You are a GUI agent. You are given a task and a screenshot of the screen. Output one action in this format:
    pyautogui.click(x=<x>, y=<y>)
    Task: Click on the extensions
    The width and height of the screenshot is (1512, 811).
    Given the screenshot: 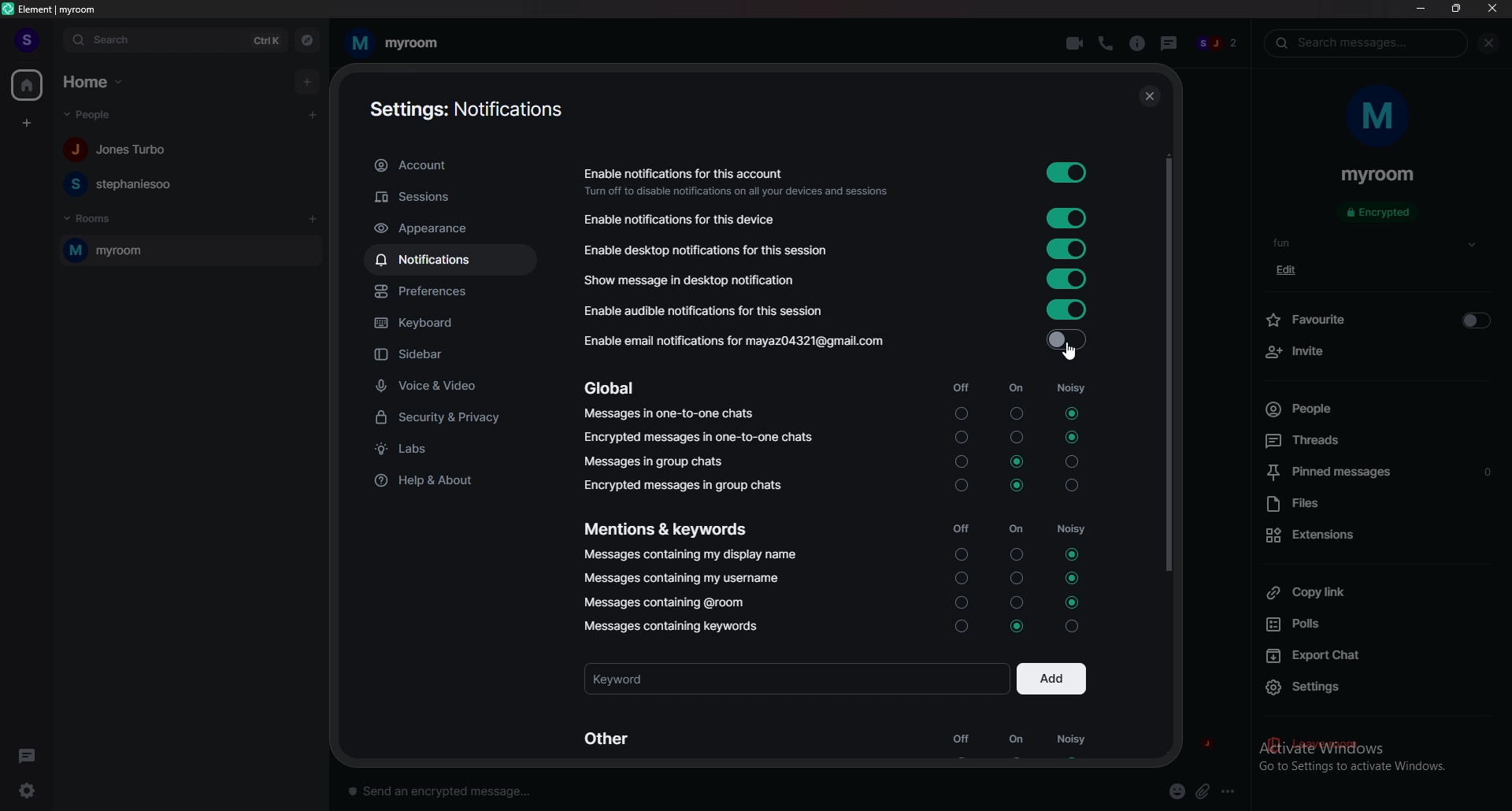 What is the action you would take?
    pyautogui.click(x=1375, y=535)
    